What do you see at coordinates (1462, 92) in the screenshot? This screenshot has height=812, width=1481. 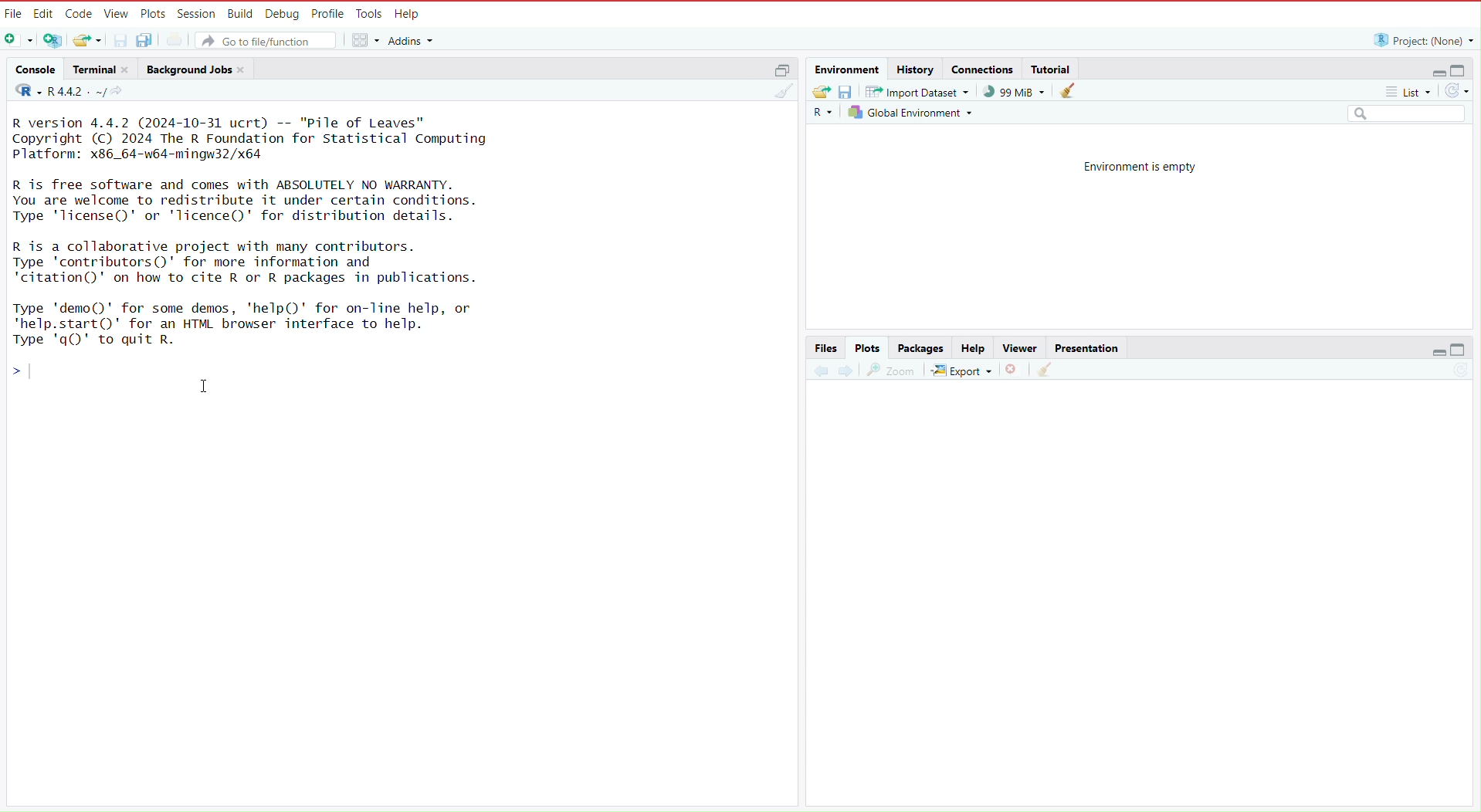 I see `refresh the list of objects in the environment` at bounding box center [1462, 92].